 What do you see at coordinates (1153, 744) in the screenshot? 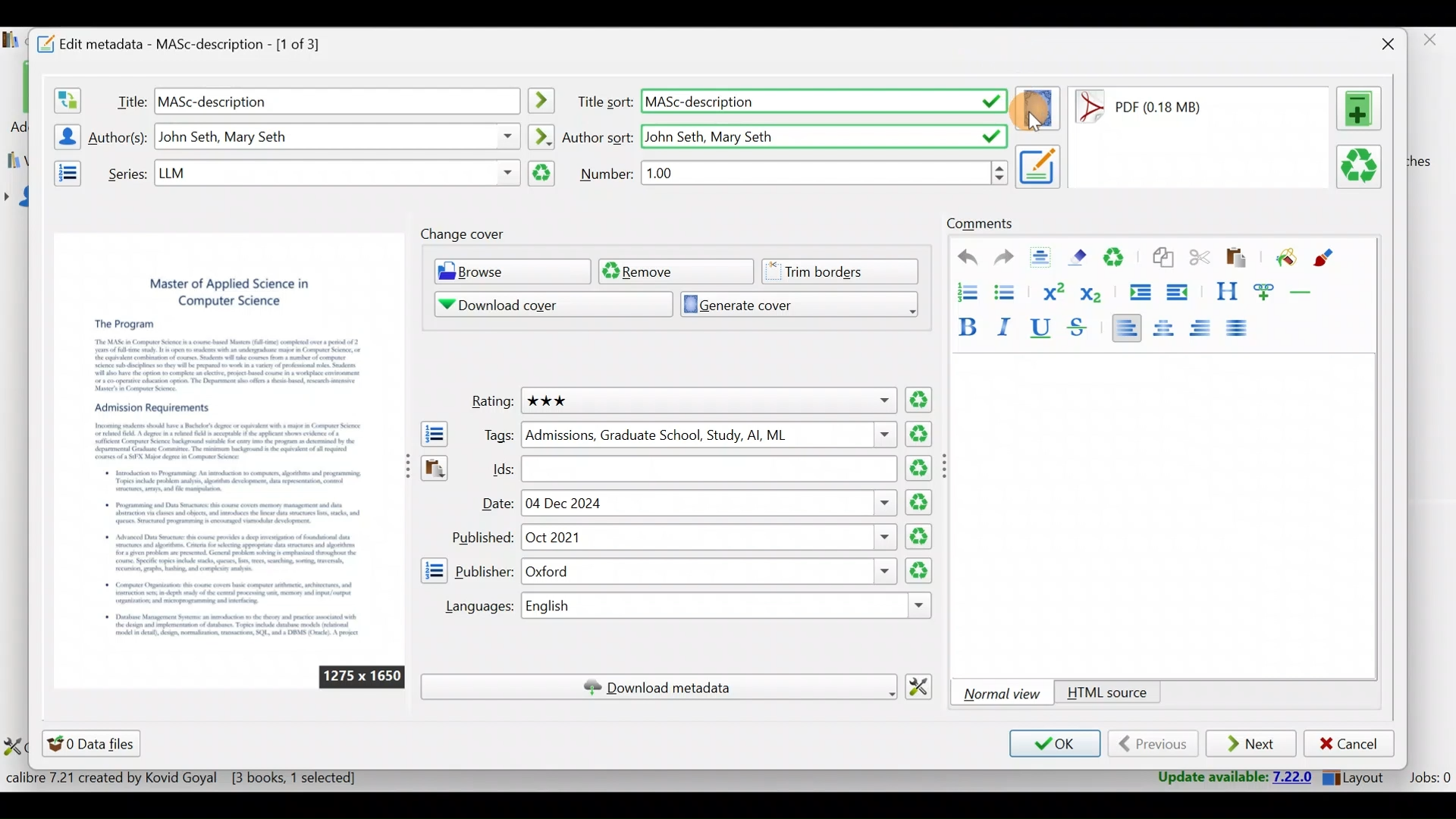
I see `Previous` at bounding box center [1153, 744].